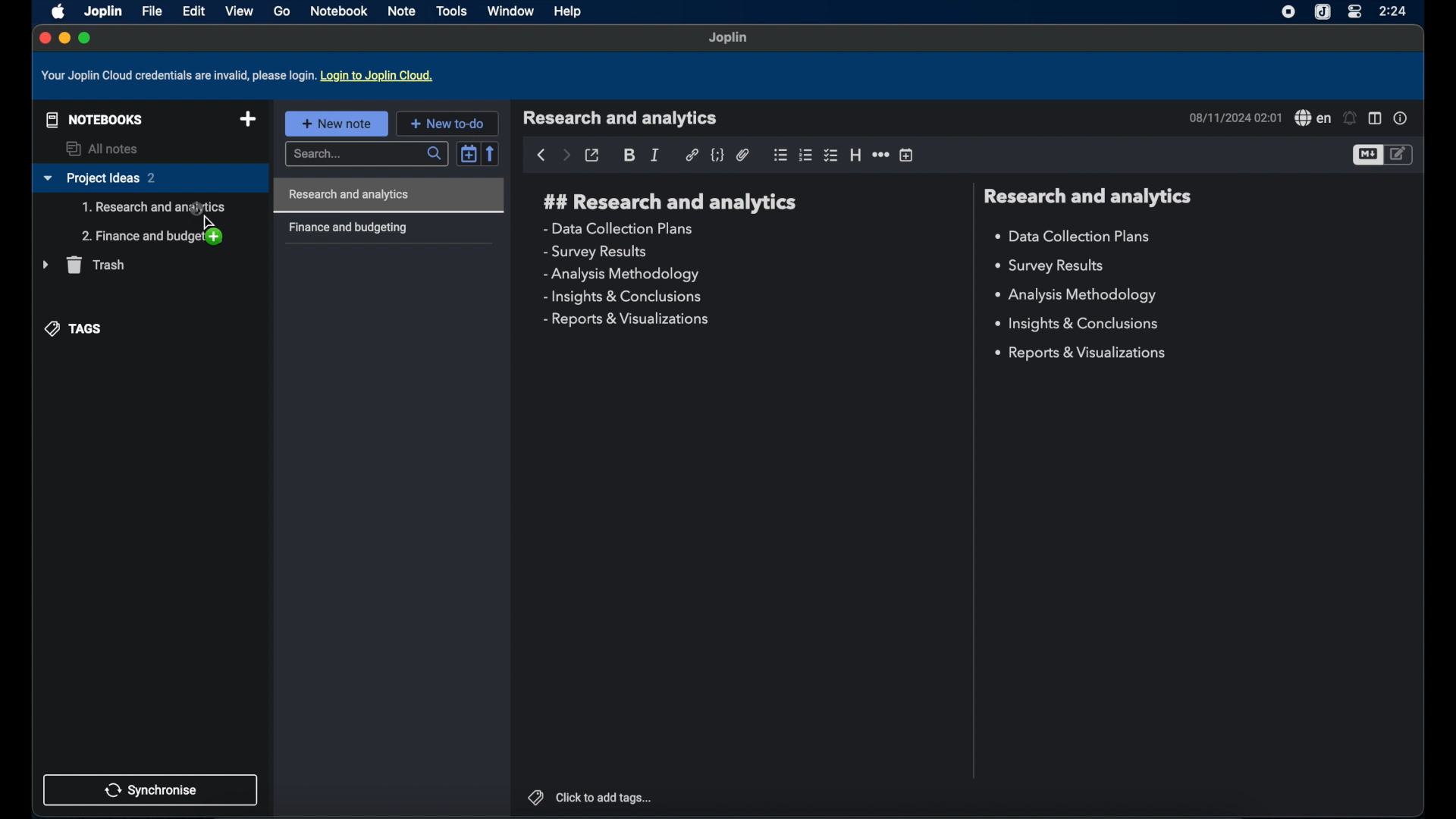  What do you see at coordinates (365, 155) in the screenshot?
I see `search bar` at bounding box center [365, 155].